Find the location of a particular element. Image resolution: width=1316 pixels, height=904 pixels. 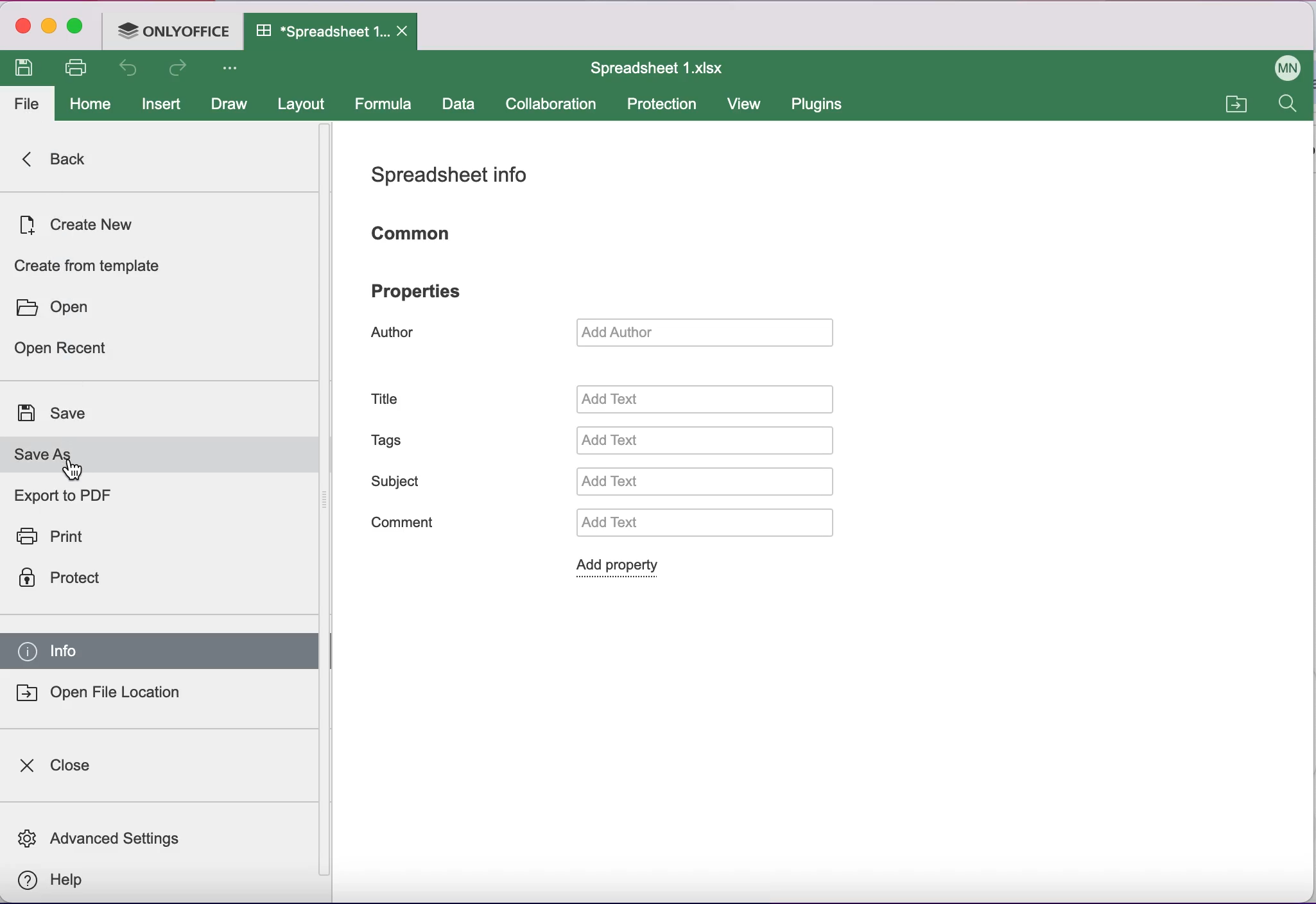

more options is located at coordinates (234, 72).